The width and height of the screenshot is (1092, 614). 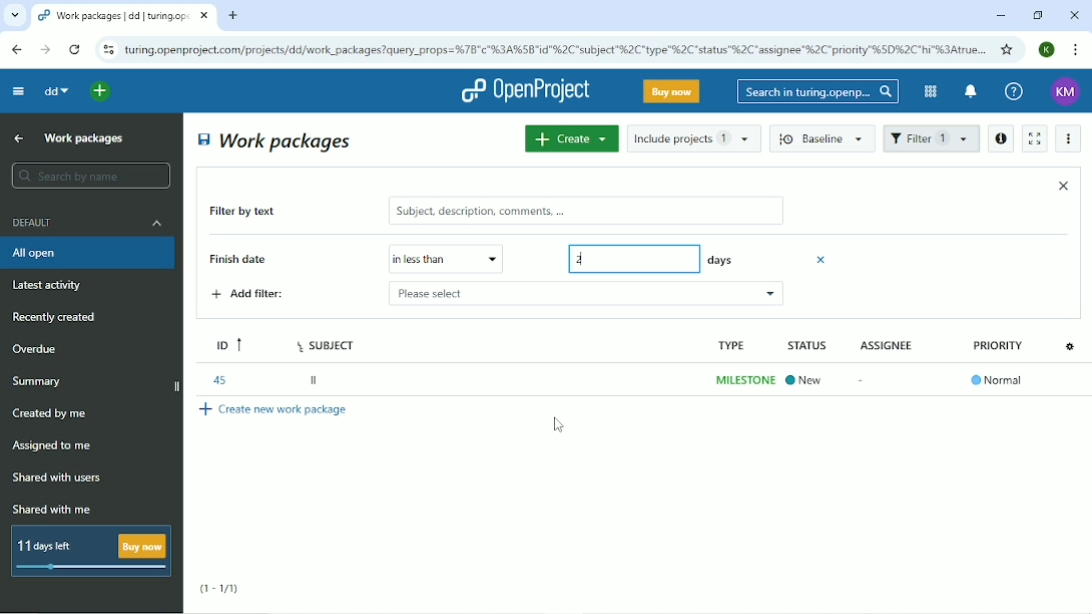 What do you see at coordinates (559, 426) in the screenshot?
I see `Cursor` at bounding box center [559, 426].